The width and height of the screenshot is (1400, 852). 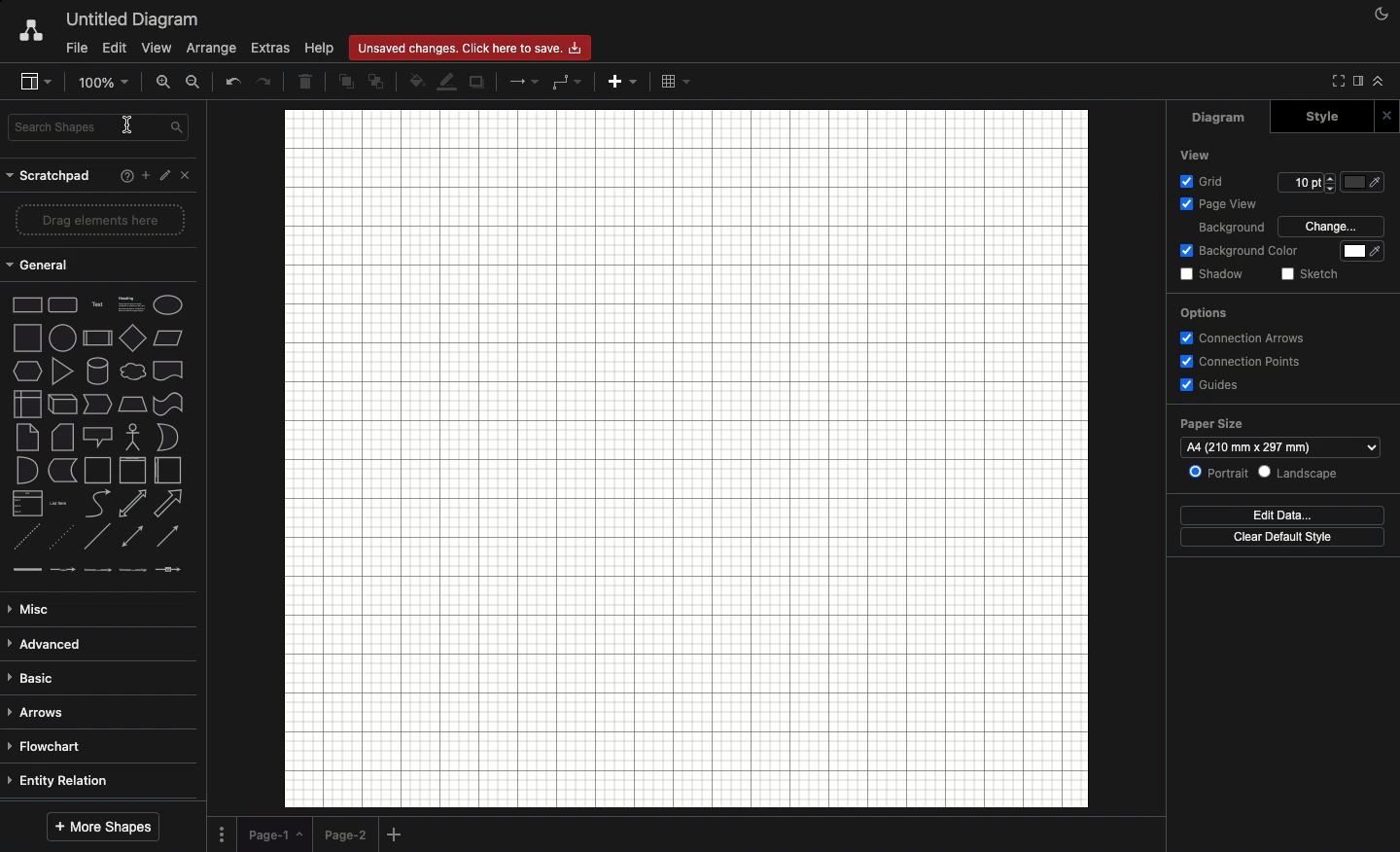 I want to click on Fill, so click(x=1364, y=253).